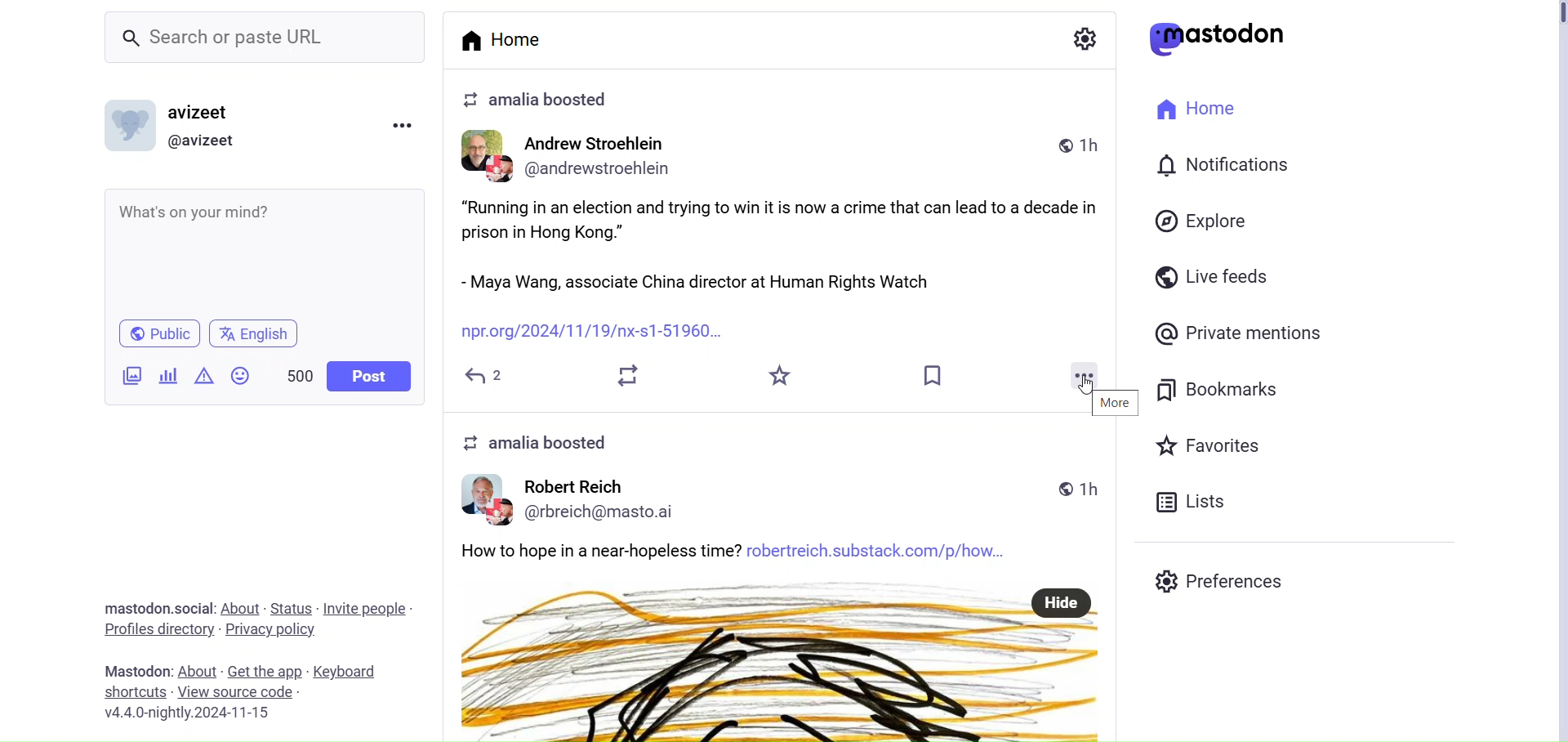 Image resolution: width=1568 pixels, height=742 pixels. I want to click on hide, so click(1062, 600).